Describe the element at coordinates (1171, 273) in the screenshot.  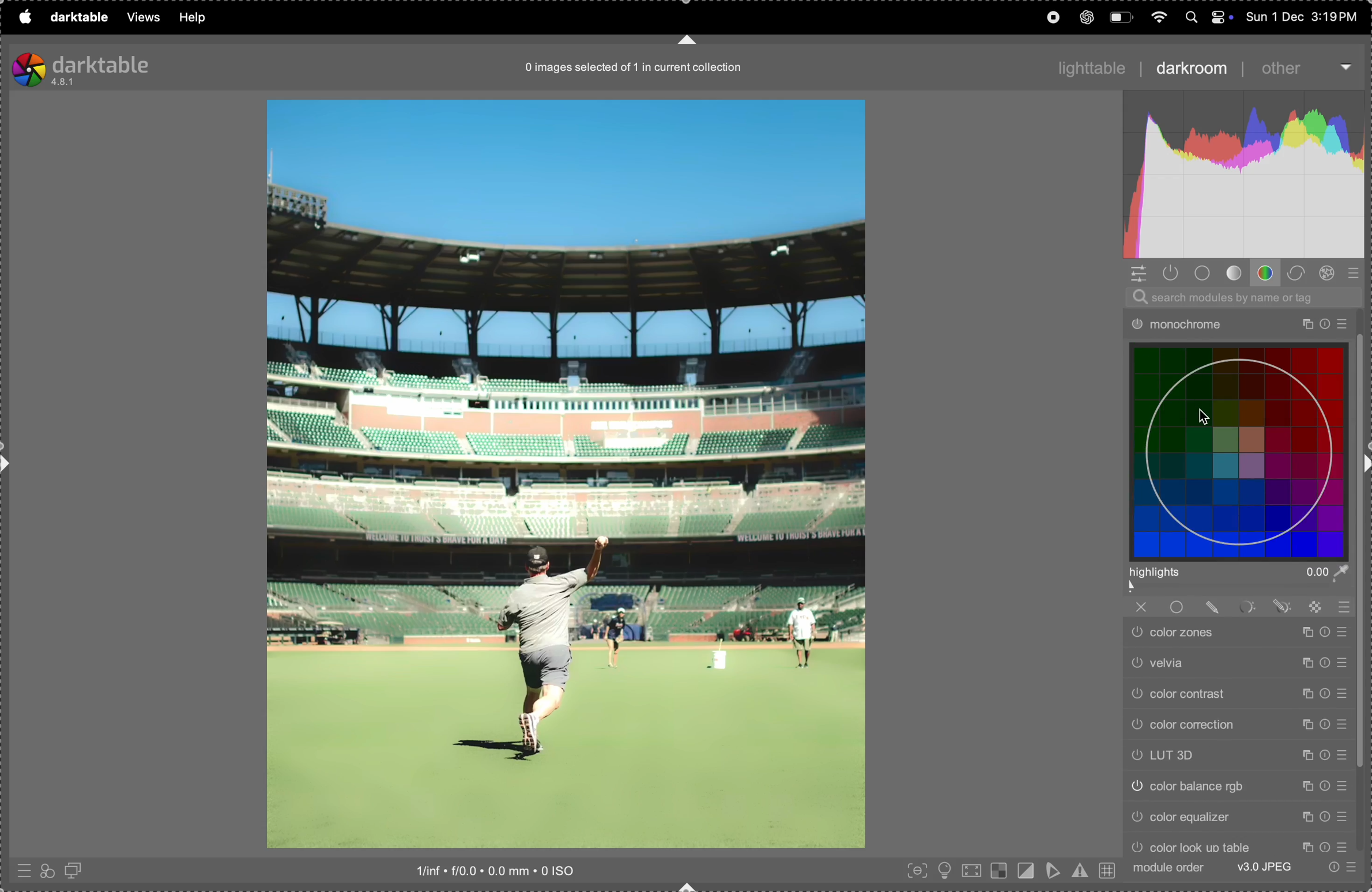
I see `show modules` at that location.